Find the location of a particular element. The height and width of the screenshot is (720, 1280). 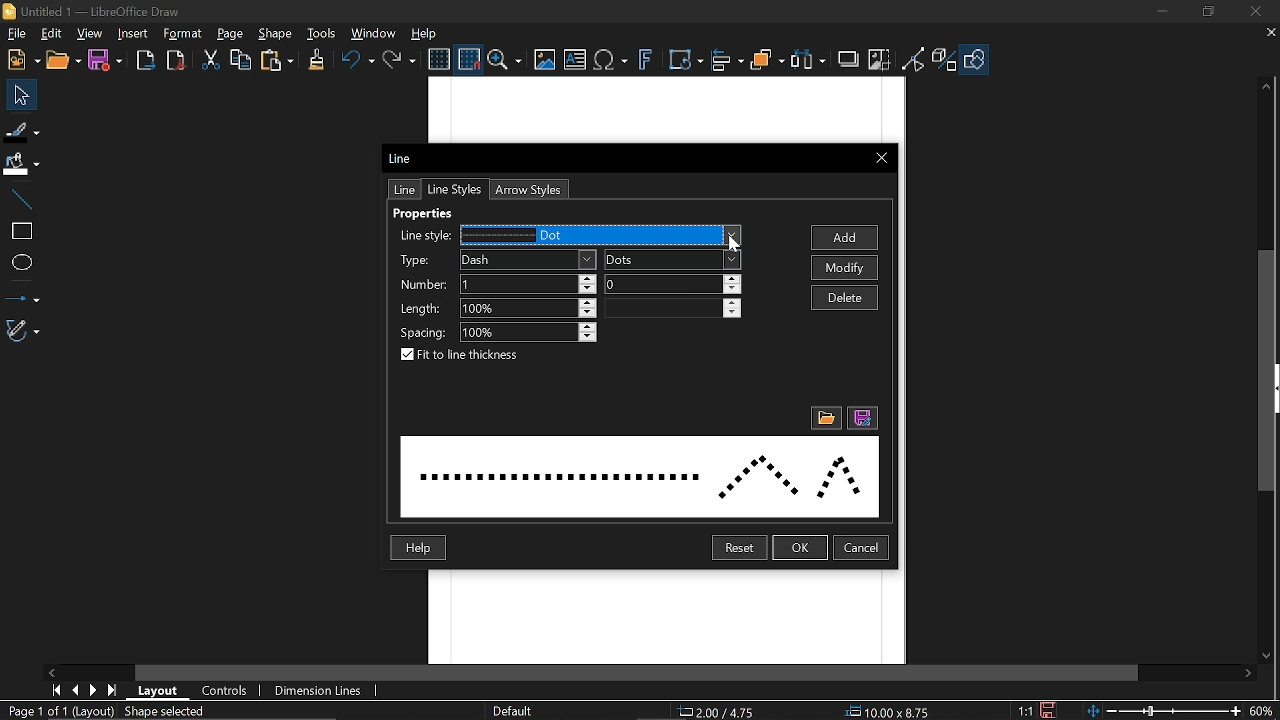

Type: is located at coordinates (417, 260).